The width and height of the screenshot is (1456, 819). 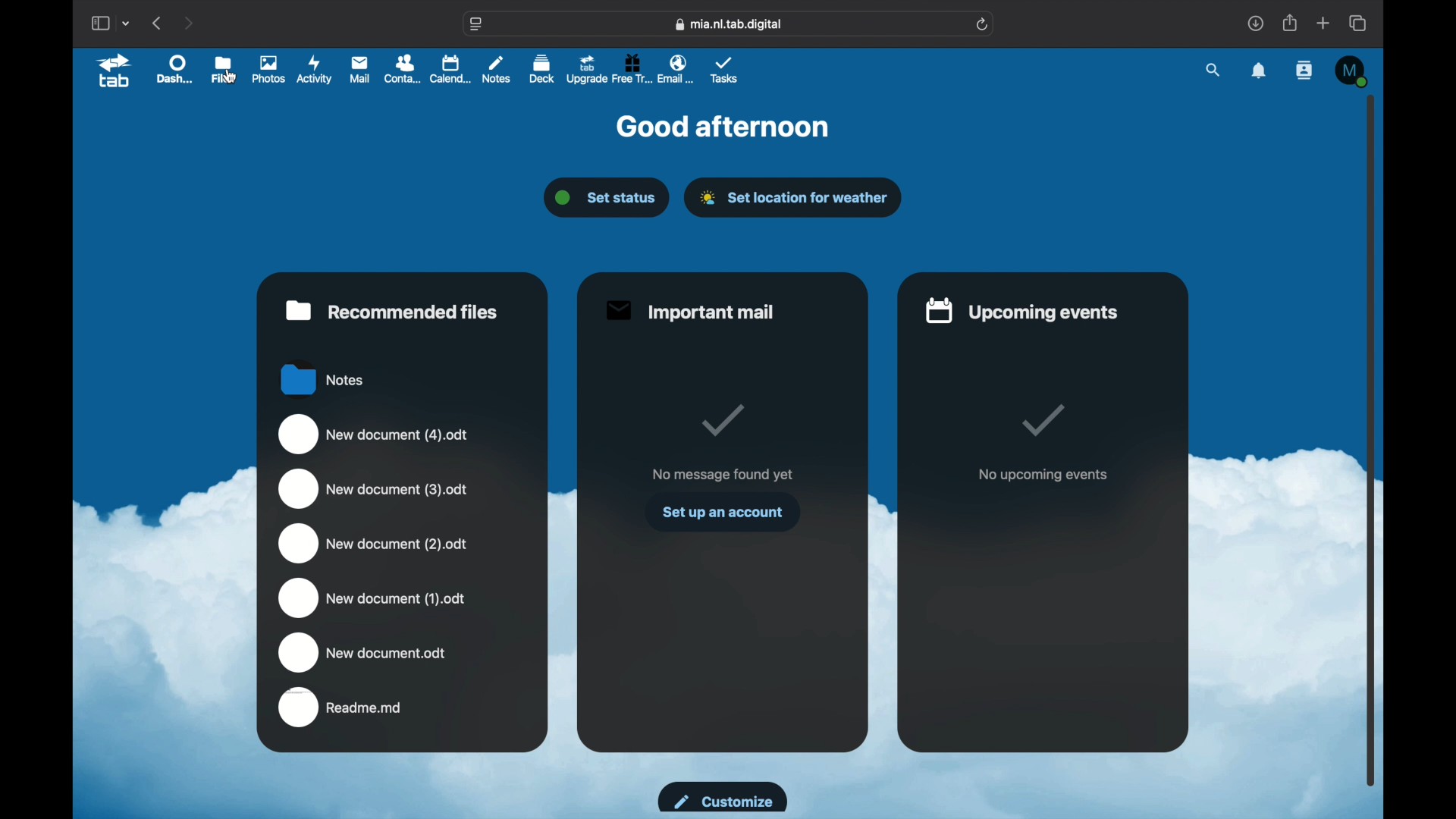 What do you see at coordinates (722, 419) in the screenshot?
I see `tick mark` at bounding box center [722, 419].